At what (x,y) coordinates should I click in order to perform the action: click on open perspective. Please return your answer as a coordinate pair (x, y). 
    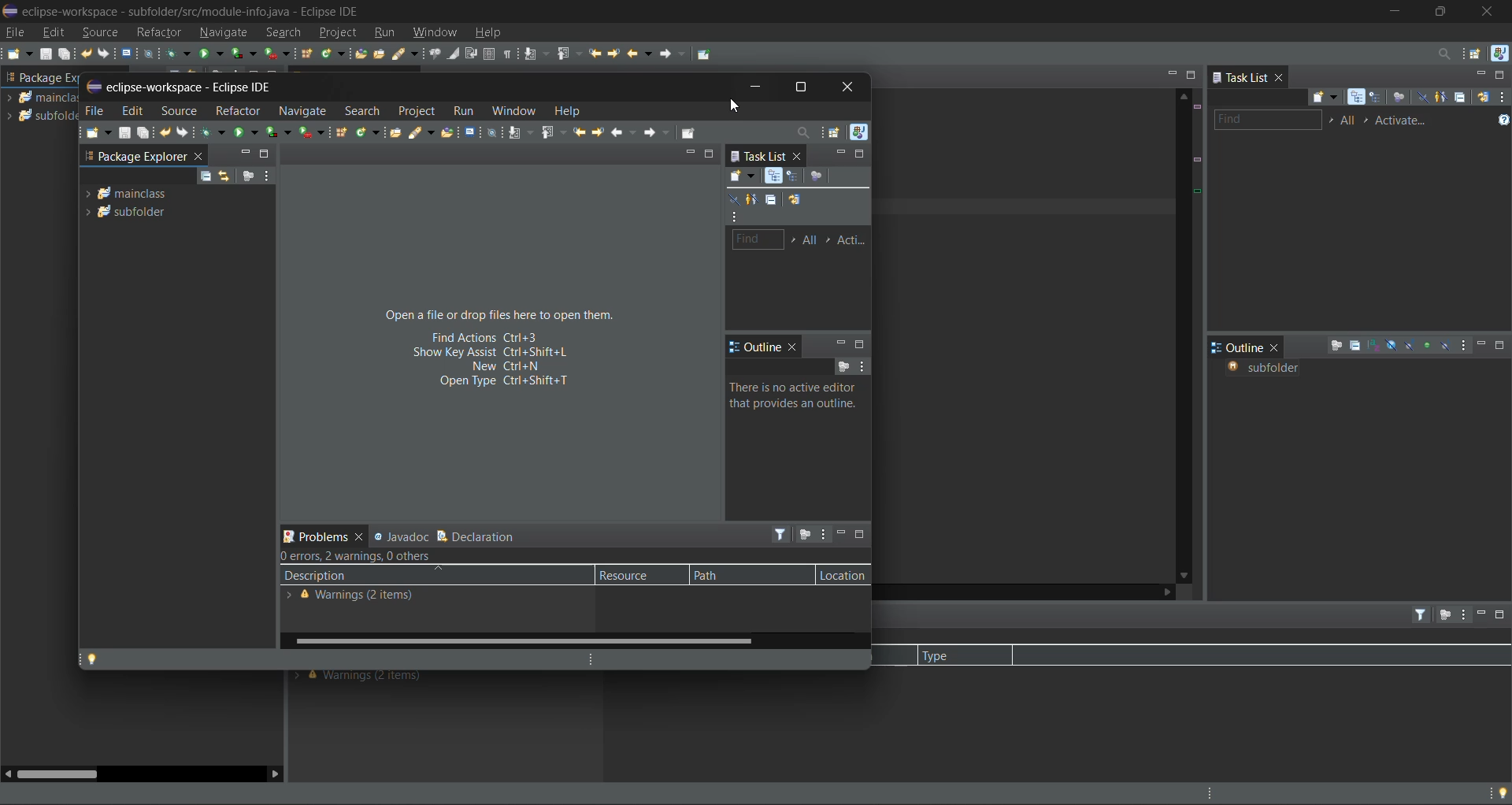
    Looking at the image, I should click on (832, 132).